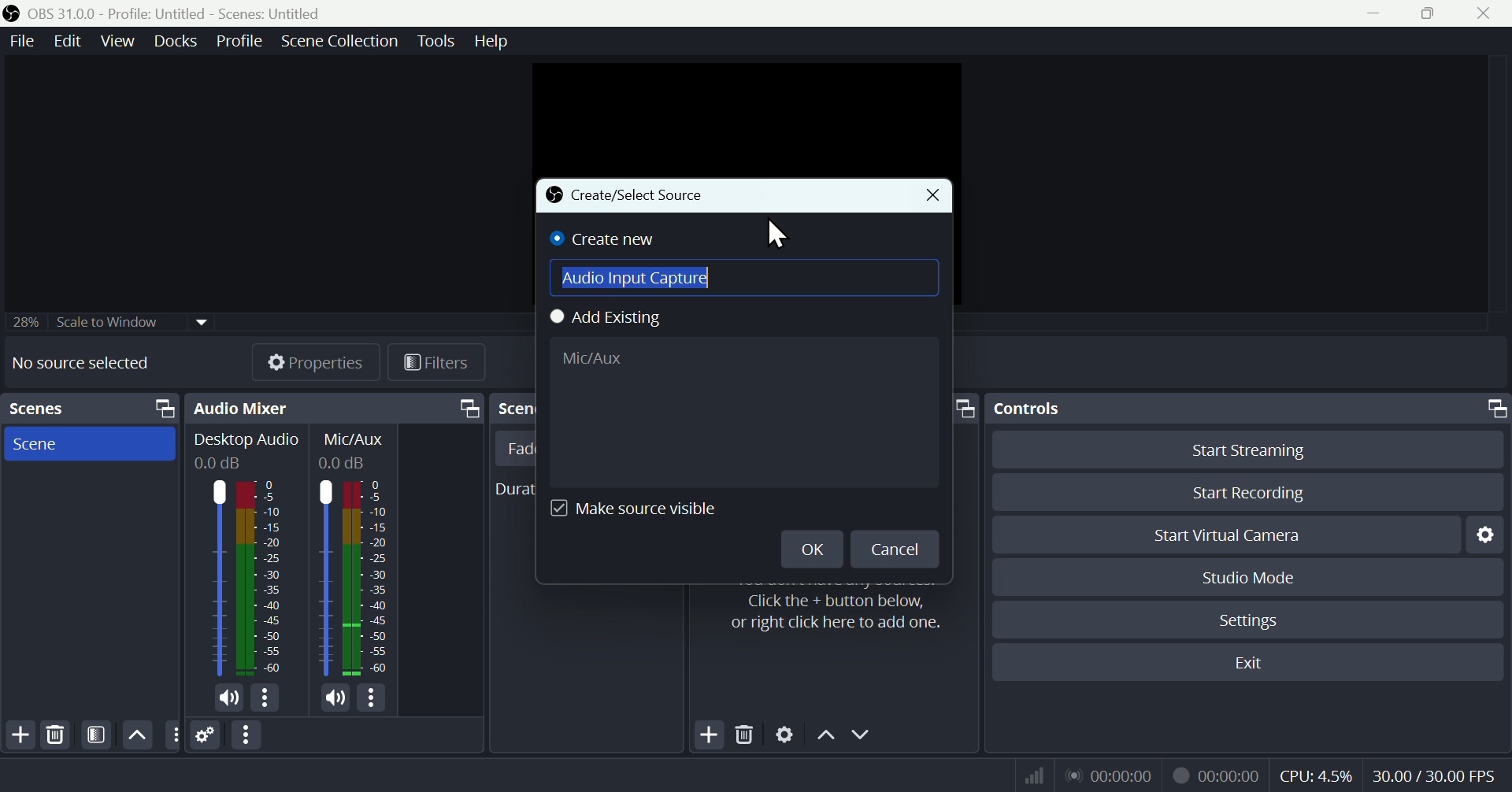  Describe the element at coordinates (711, 736) in the screenshot. I see `Add` at that location.